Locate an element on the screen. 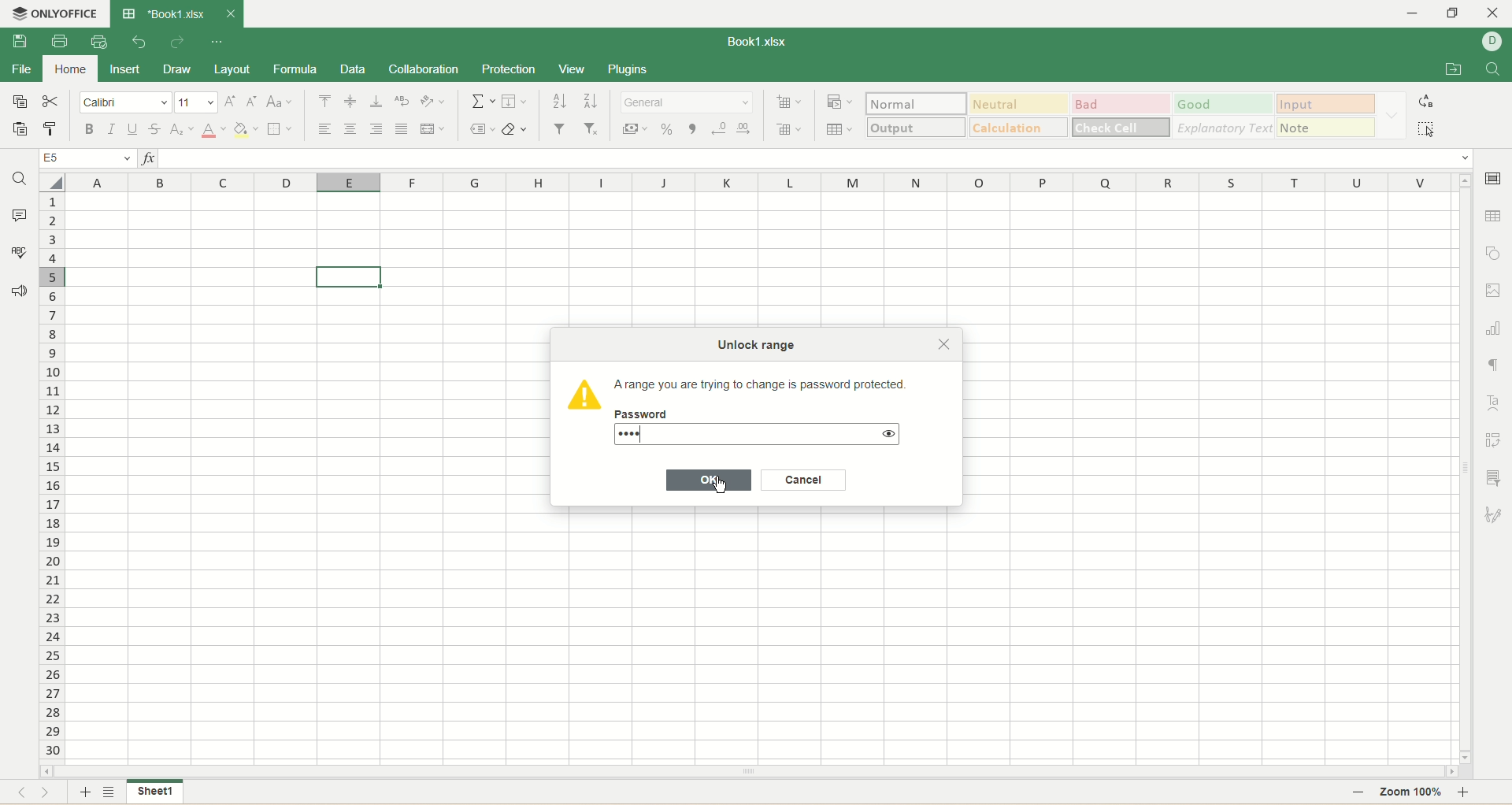 This screenshot has height=805, width=1512. table settings is located at coordinates (1494, 217).